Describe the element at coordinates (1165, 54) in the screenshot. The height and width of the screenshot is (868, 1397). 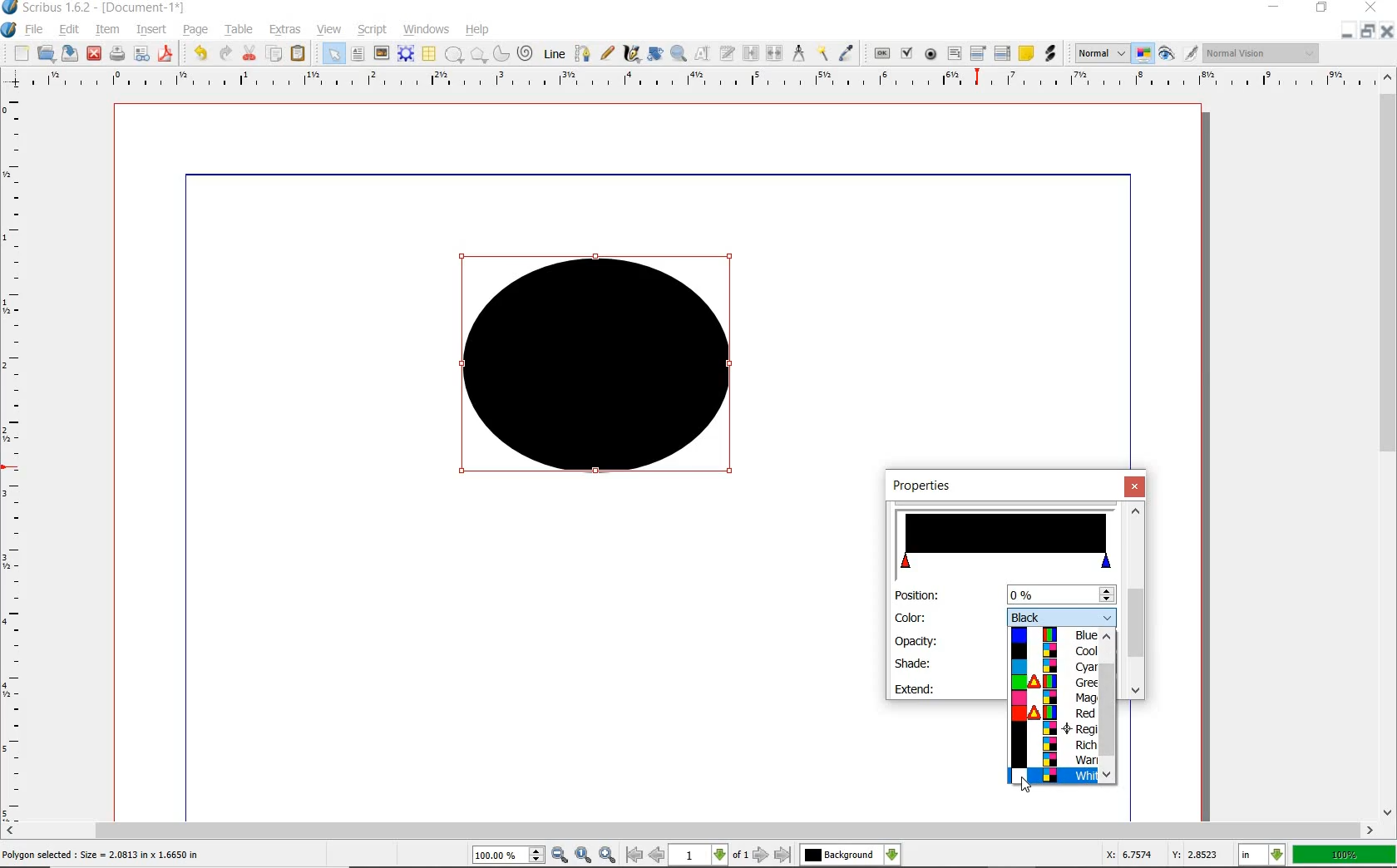
I see `PREVIEW MODE` at that location.